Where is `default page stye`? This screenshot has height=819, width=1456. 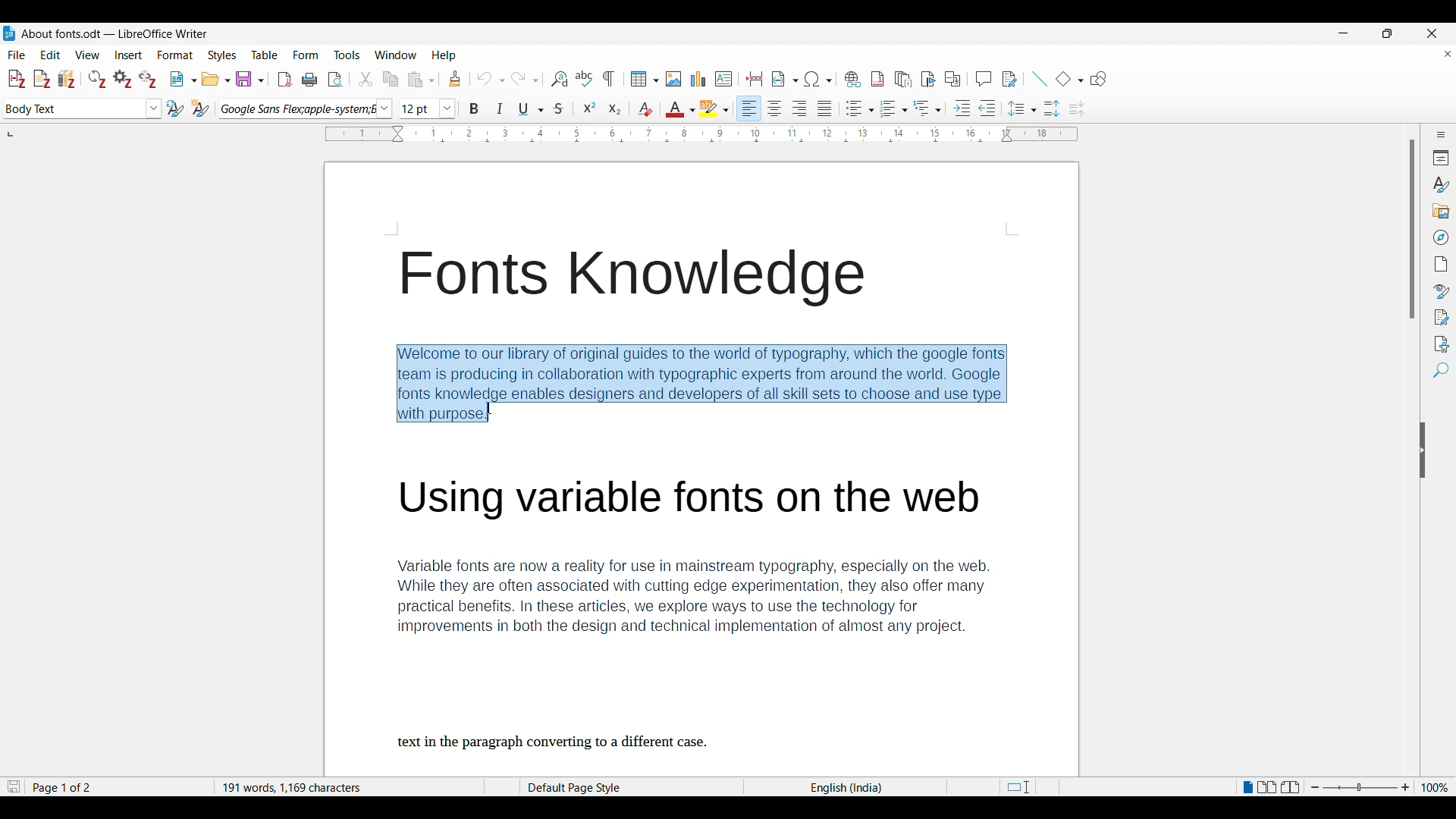 default page stye is located at coordinates (578, 786).